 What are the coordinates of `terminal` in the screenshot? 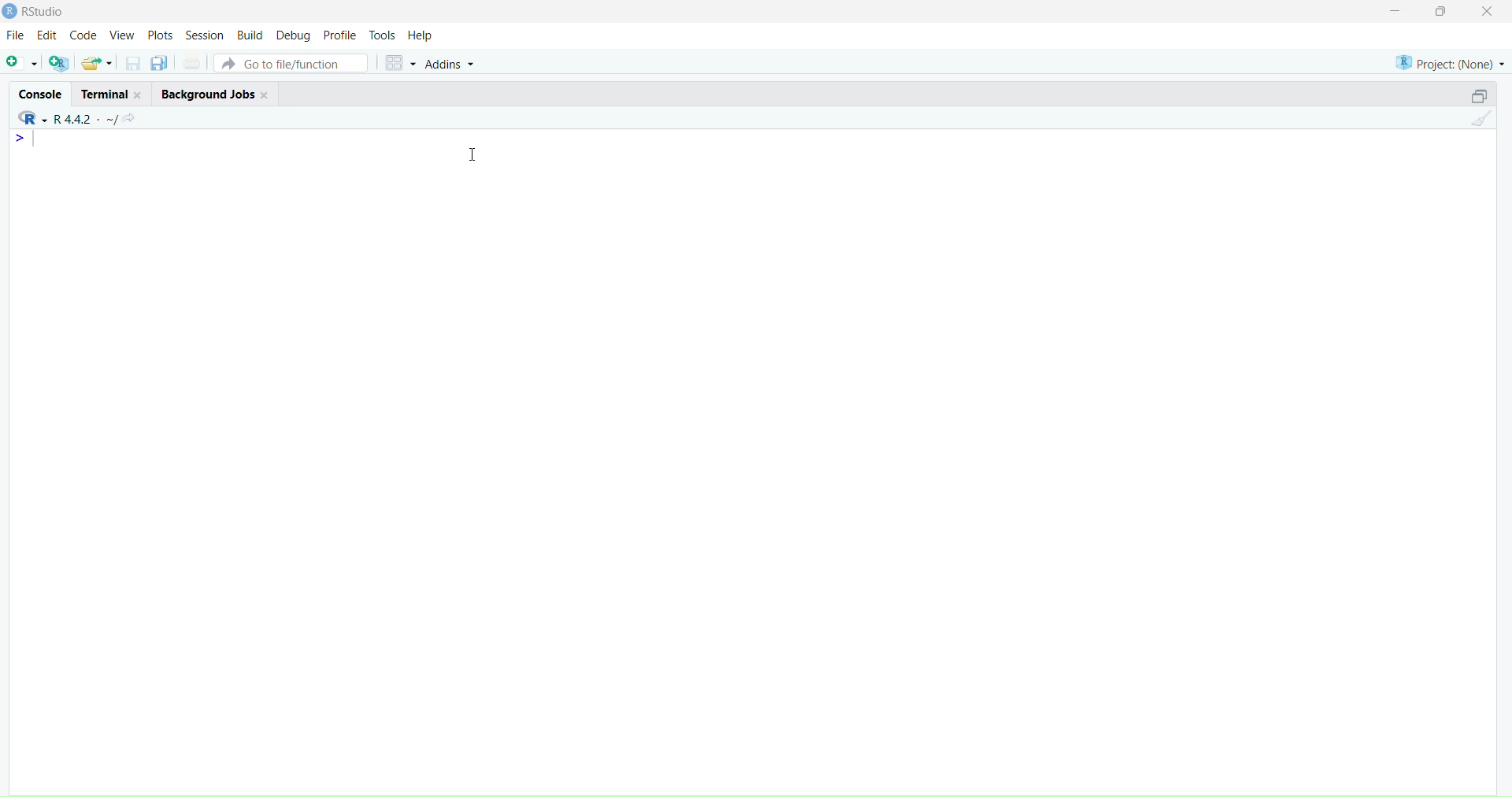 It's located at (106, 94).